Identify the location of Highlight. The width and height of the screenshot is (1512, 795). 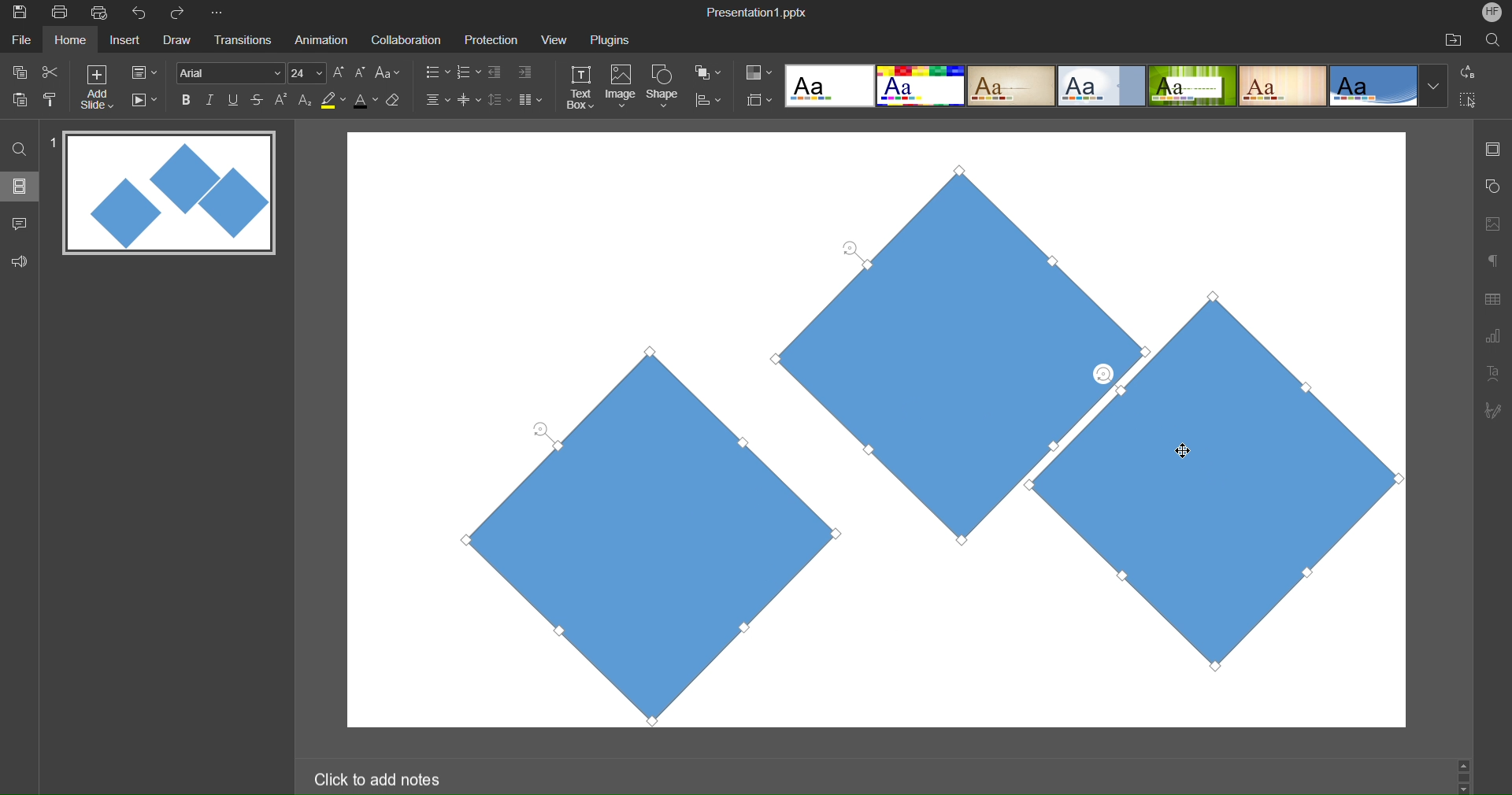
(334, 100).